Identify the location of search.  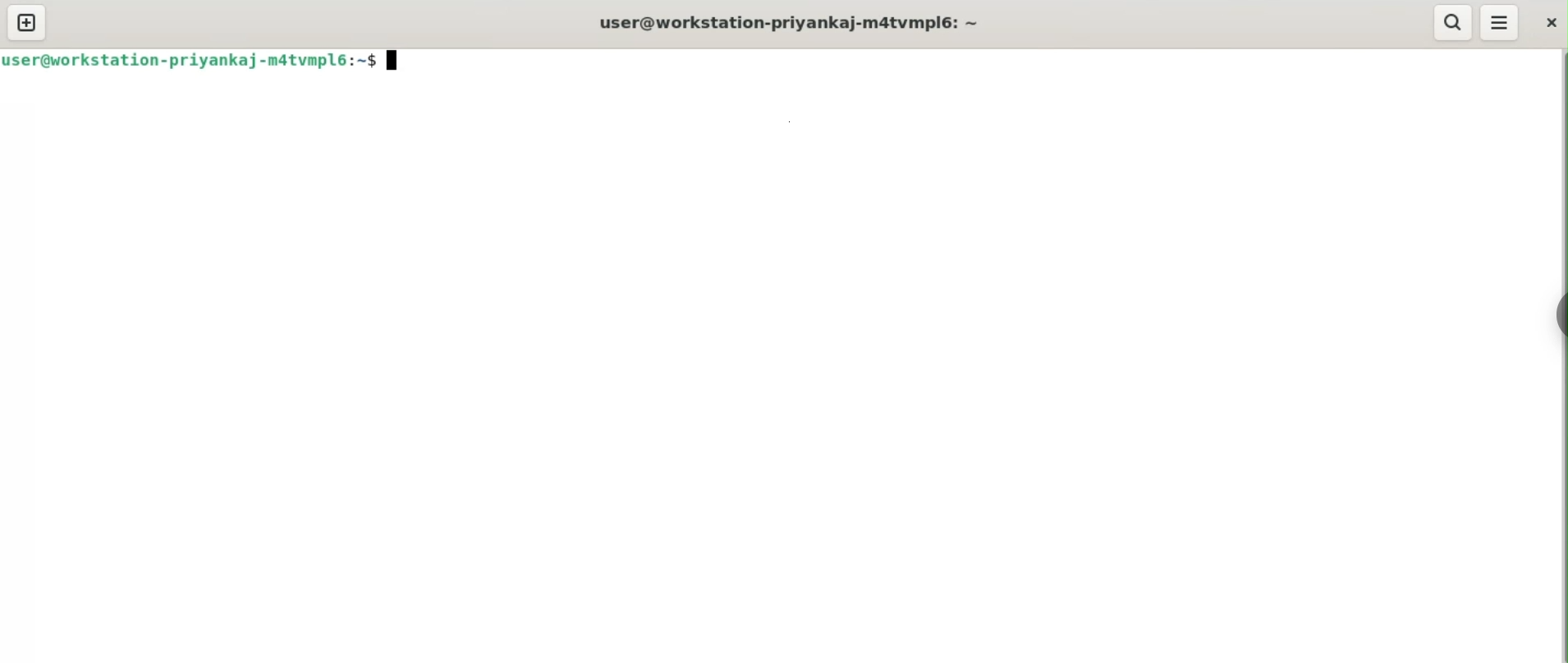
(1453, 22).